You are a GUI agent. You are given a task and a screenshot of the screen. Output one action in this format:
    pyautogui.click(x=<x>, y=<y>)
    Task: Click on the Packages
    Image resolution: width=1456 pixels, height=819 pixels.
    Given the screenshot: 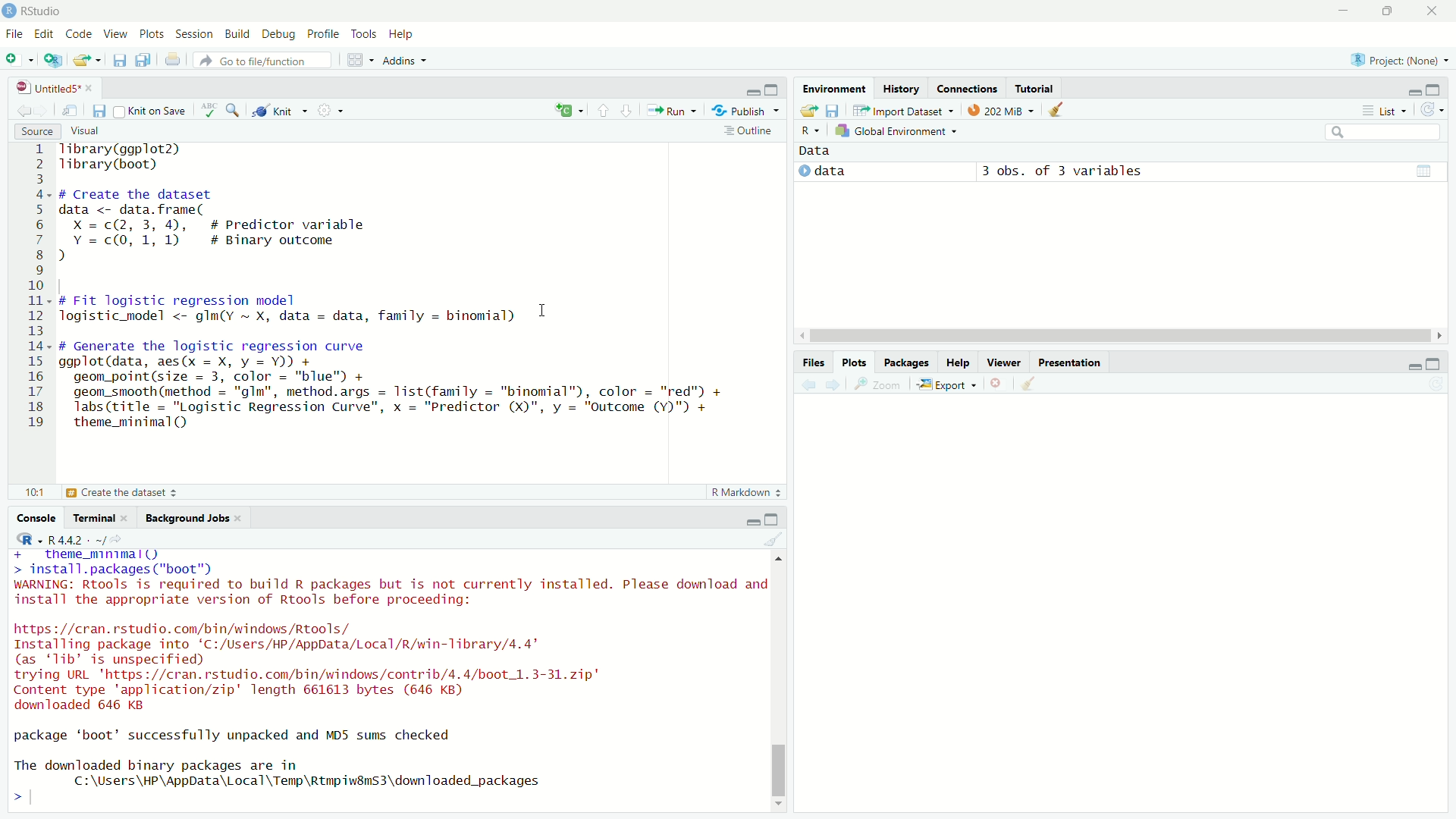 What is the action you would take?
    pyautogui.click(x=905, y=361)
    